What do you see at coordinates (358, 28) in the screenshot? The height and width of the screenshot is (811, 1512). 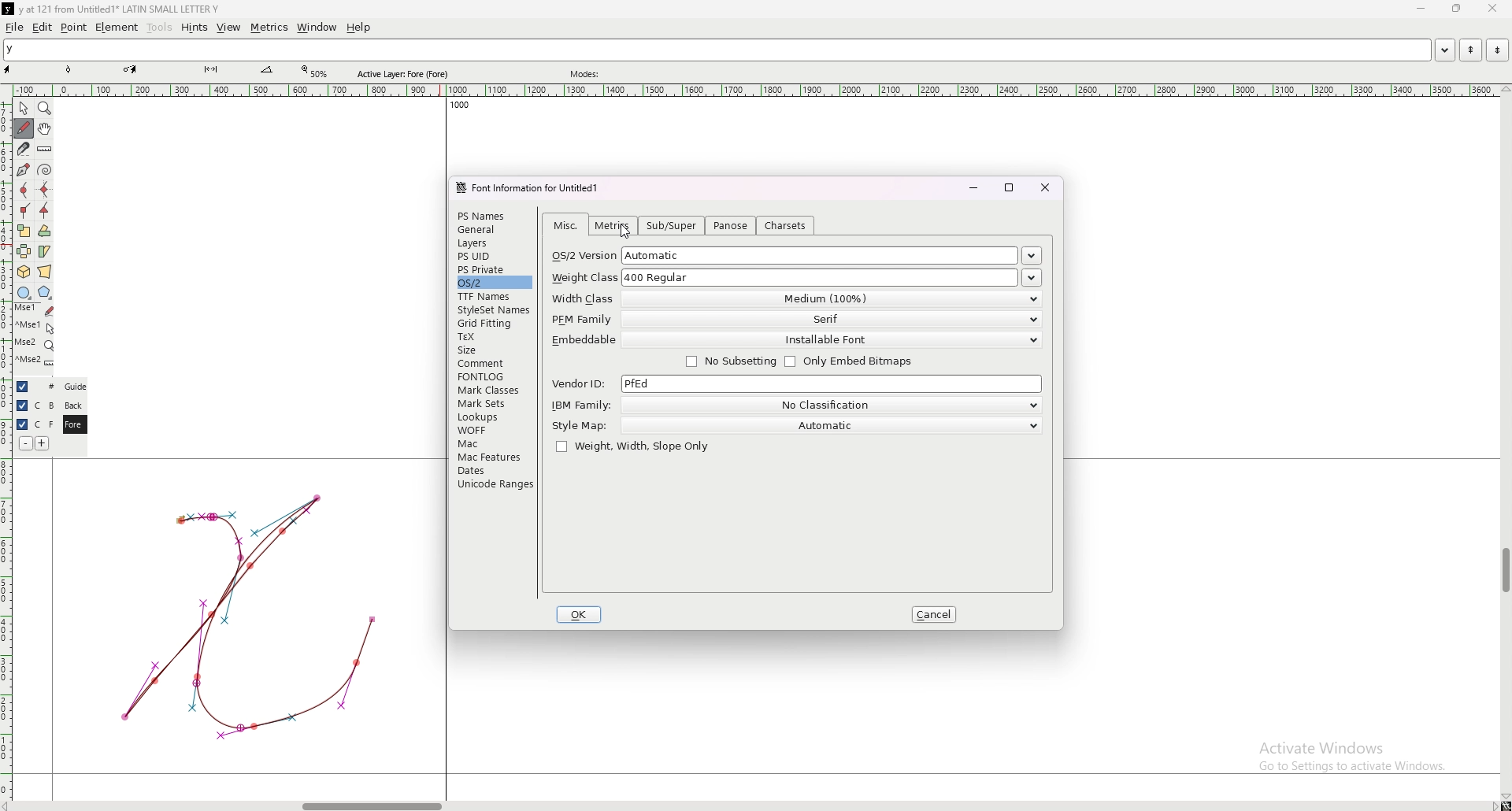 I see `help` at bounding box center [358, 28].